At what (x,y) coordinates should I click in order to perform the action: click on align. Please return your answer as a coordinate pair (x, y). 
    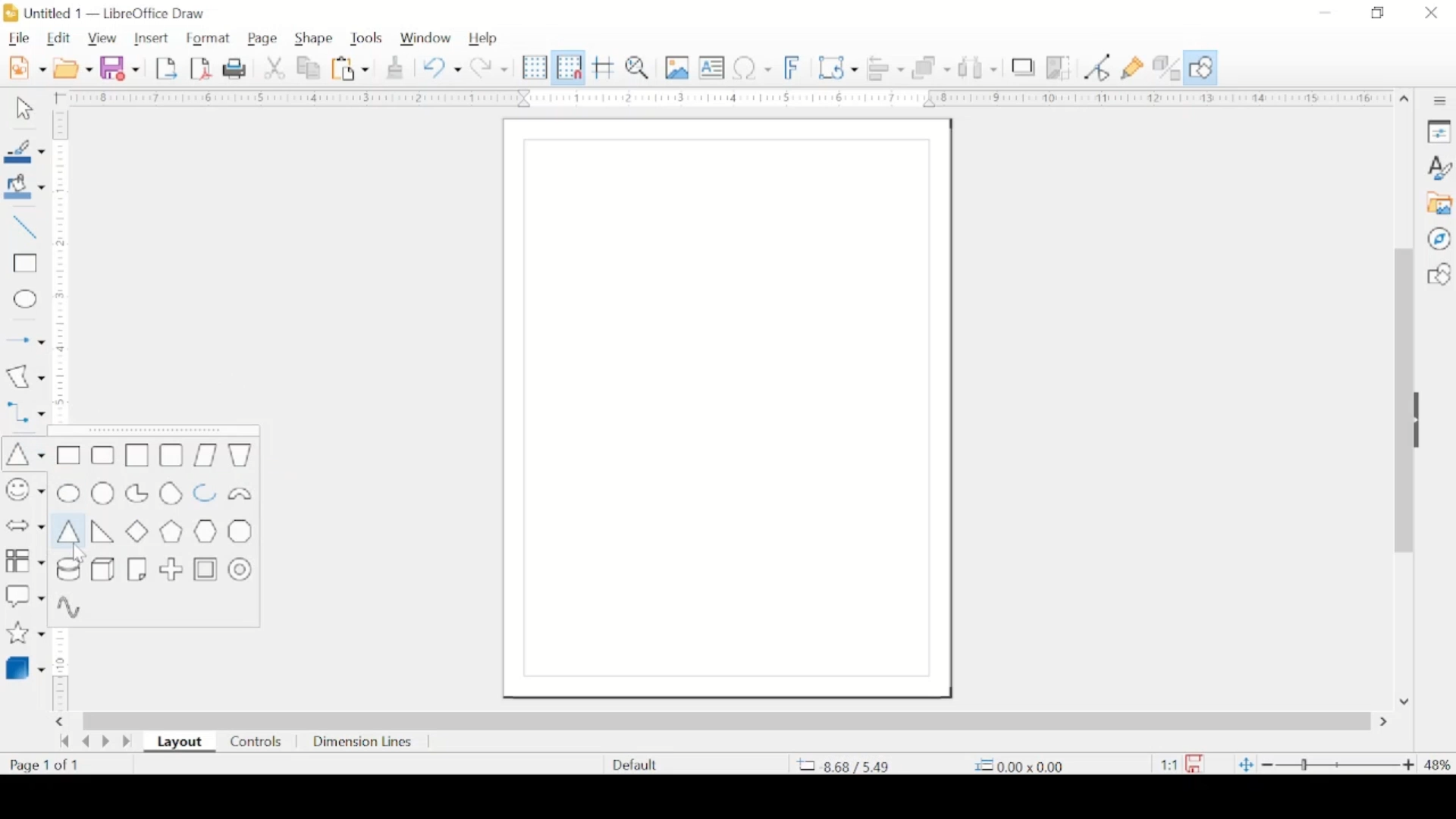
    Looking at the image, I should click on (887, 67).